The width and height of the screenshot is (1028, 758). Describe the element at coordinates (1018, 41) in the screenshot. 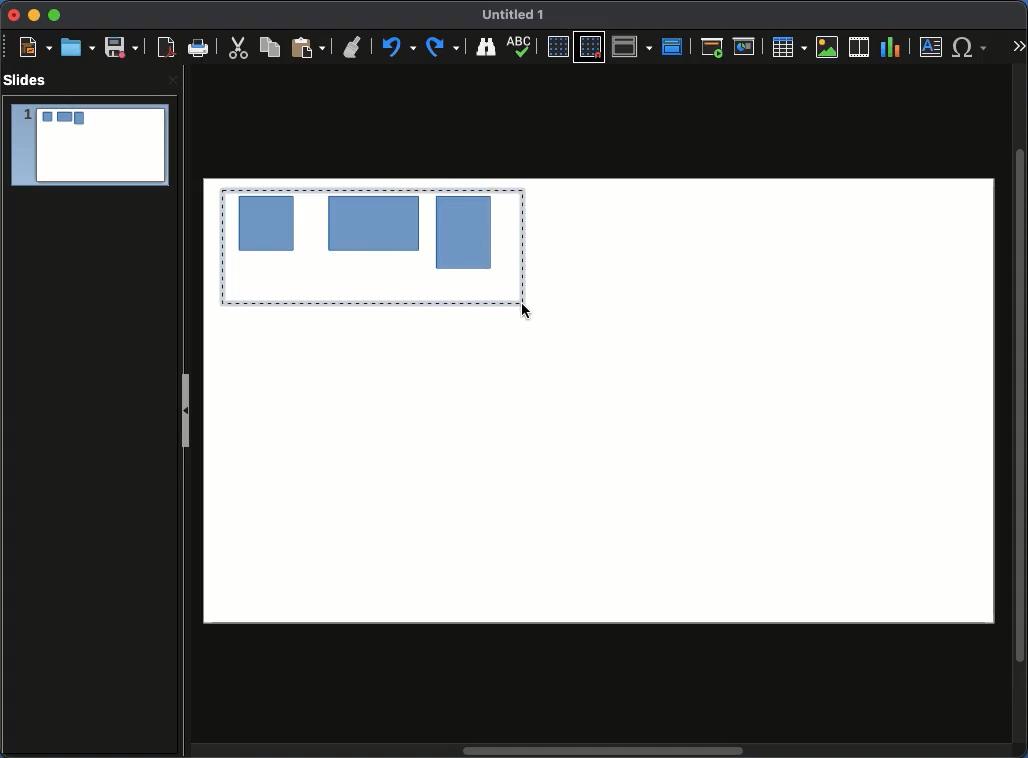

I see `More` at that location.